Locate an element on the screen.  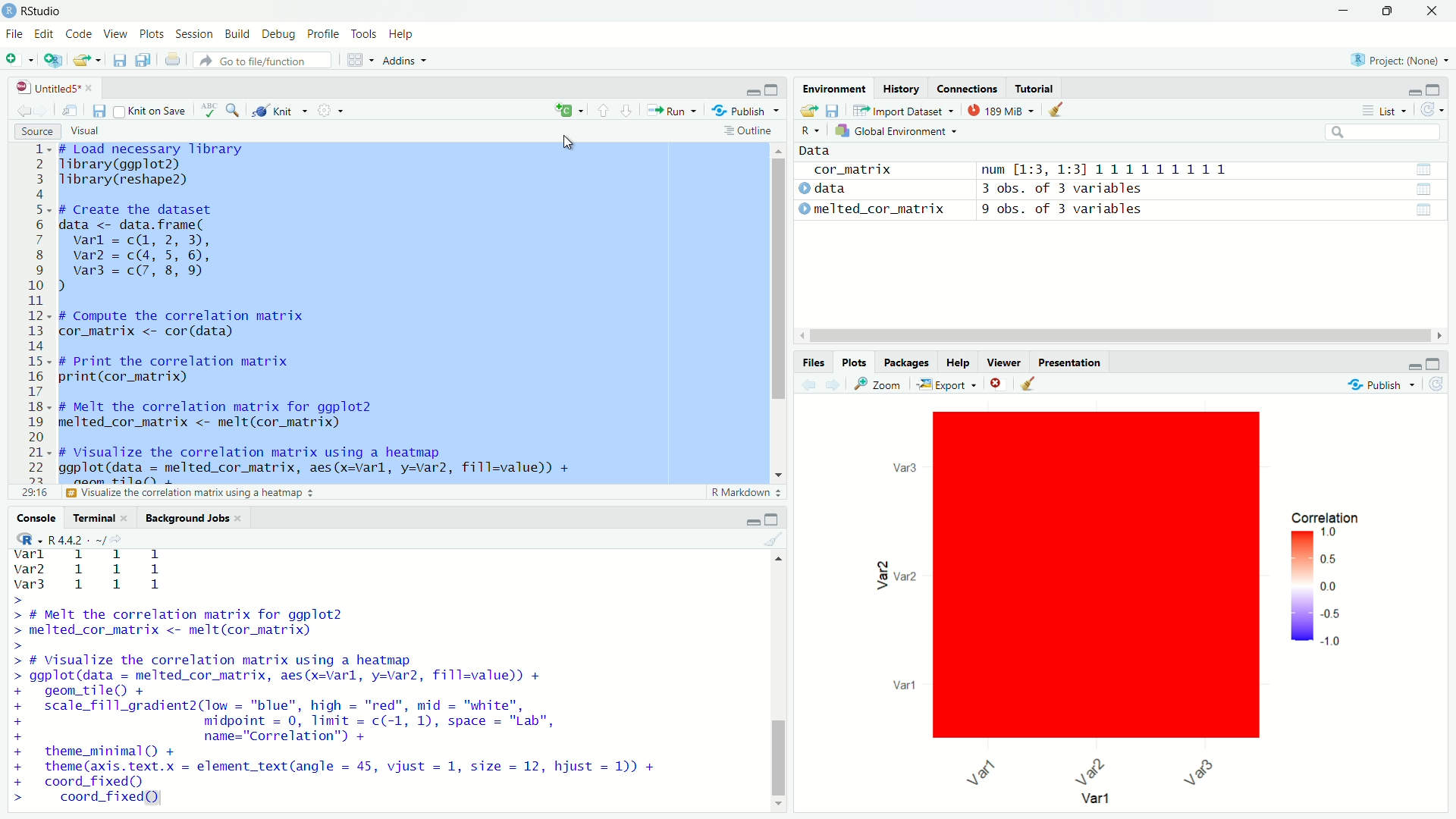
edit is located at coordinates (43, 33).